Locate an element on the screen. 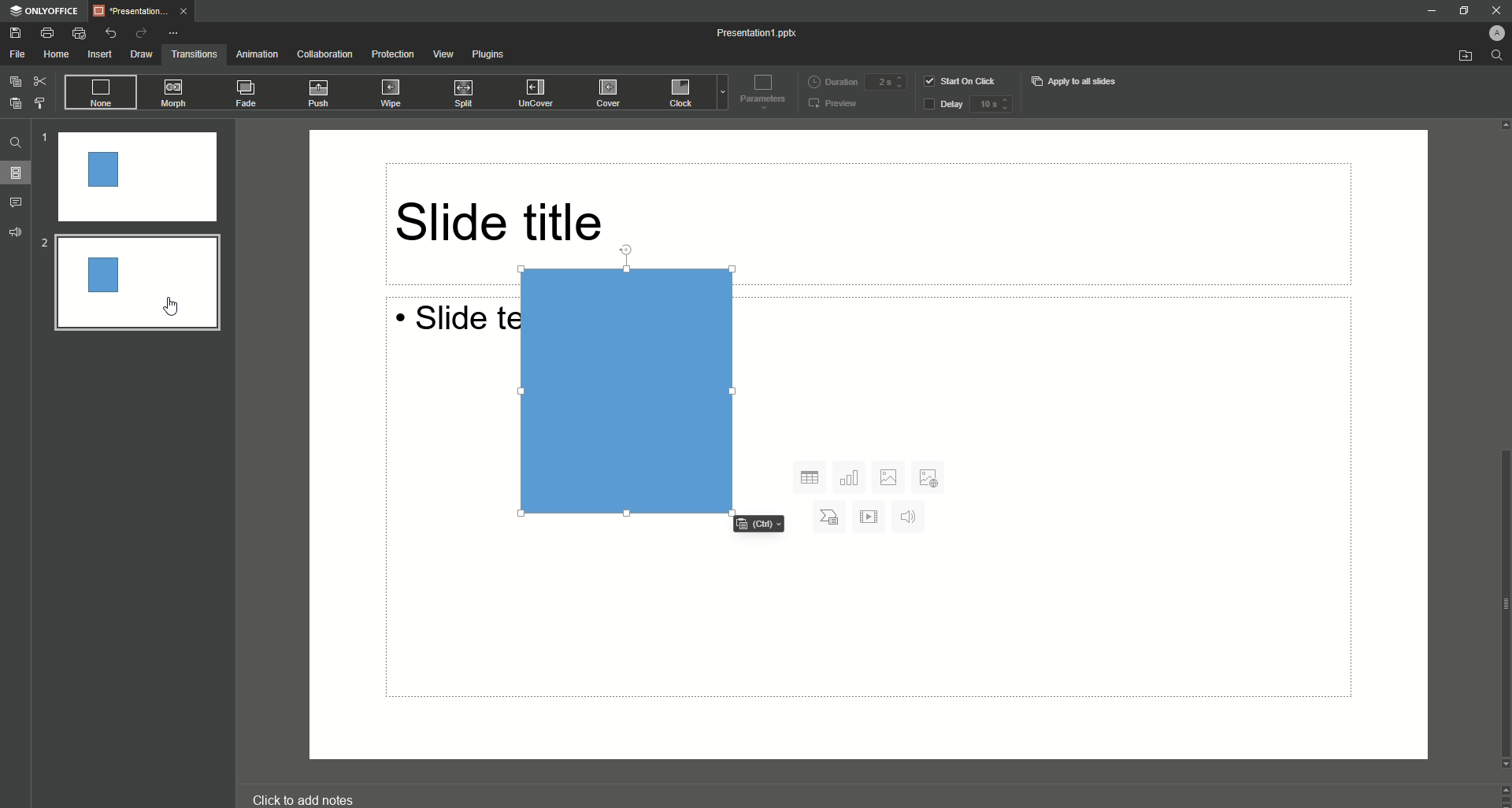  Duration is located at coordinates (826, 80).